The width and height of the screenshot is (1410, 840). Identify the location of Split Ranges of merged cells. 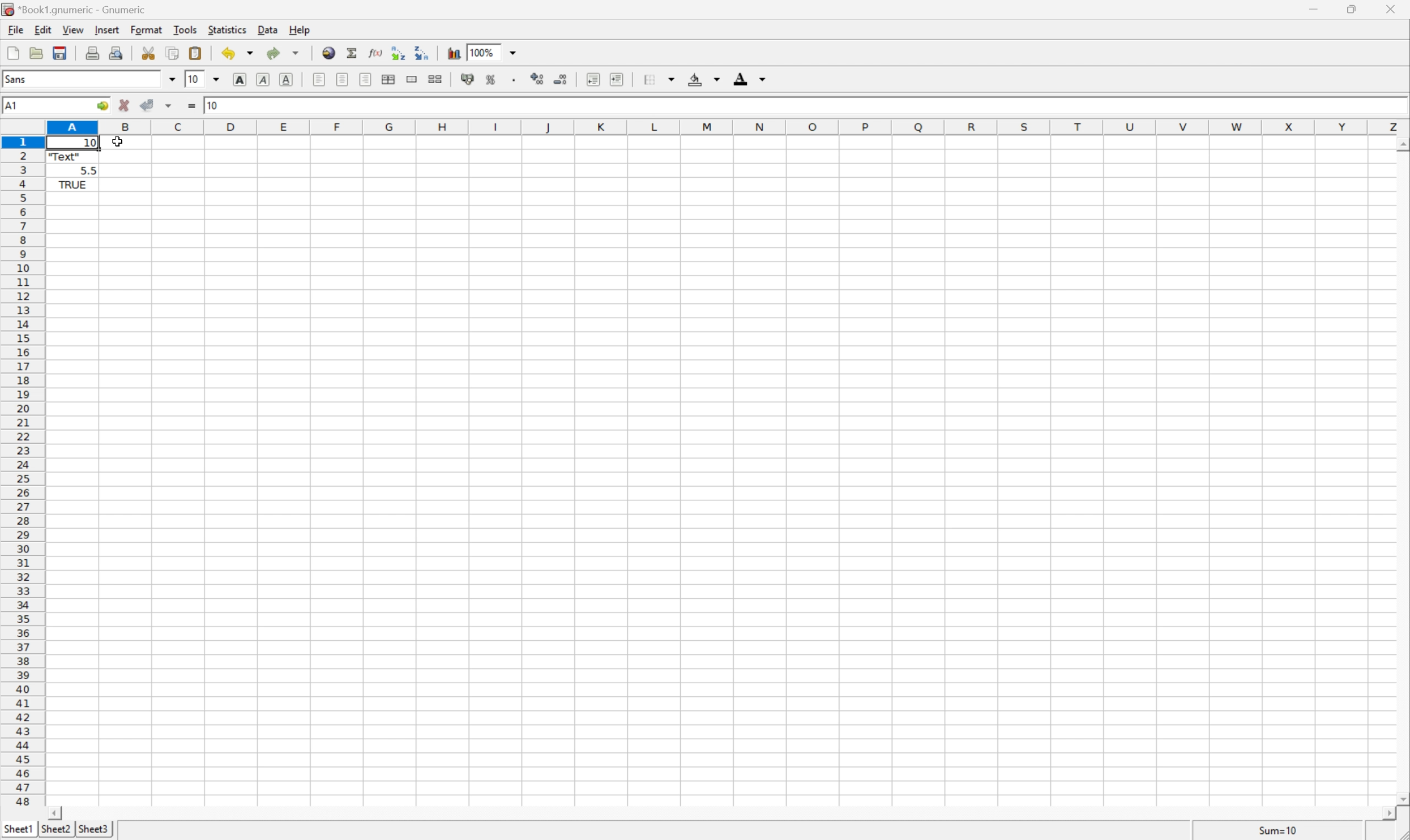
(434, 79).